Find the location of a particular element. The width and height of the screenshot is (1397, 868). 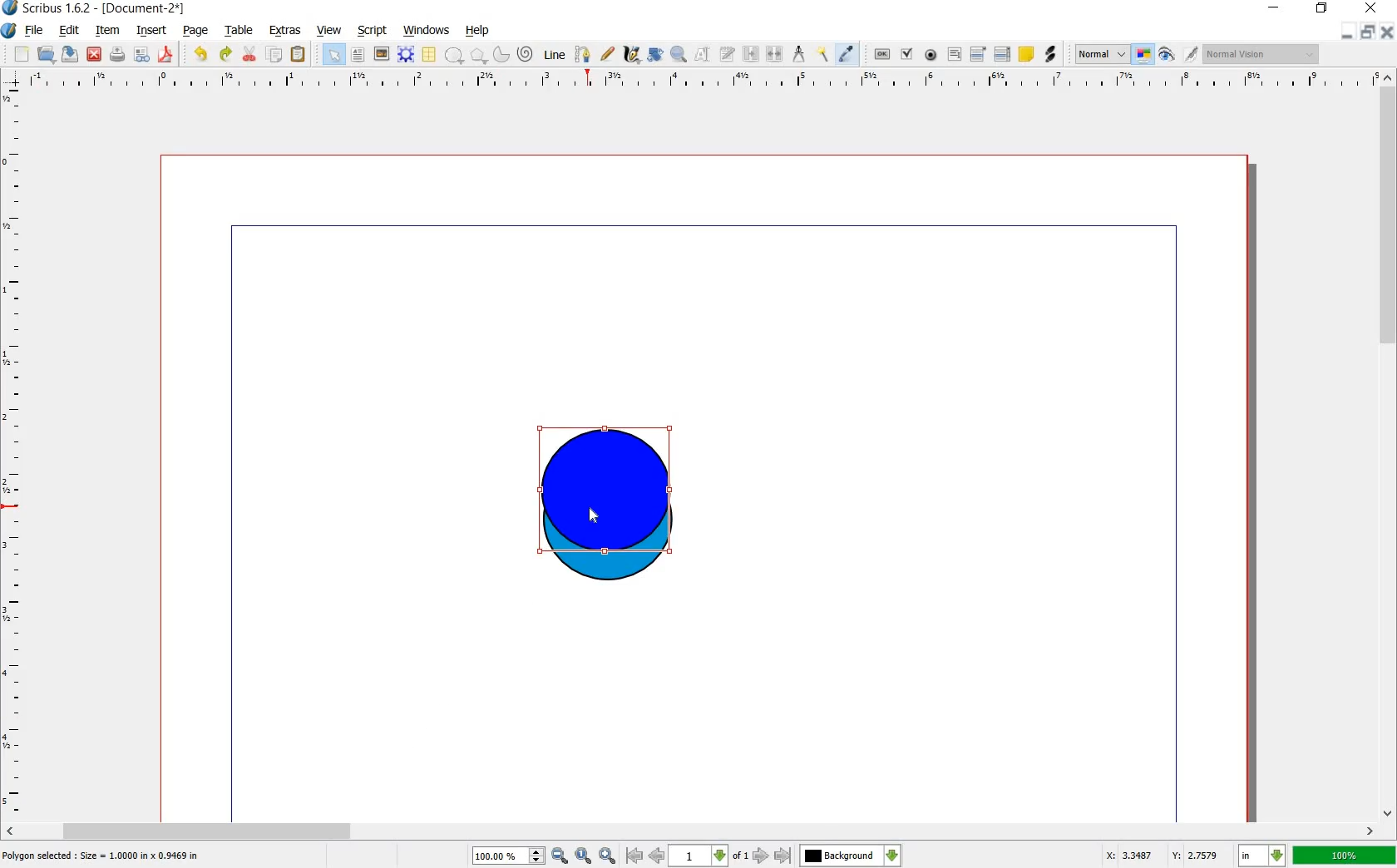

zoom in is located at coordinates (607, 856).